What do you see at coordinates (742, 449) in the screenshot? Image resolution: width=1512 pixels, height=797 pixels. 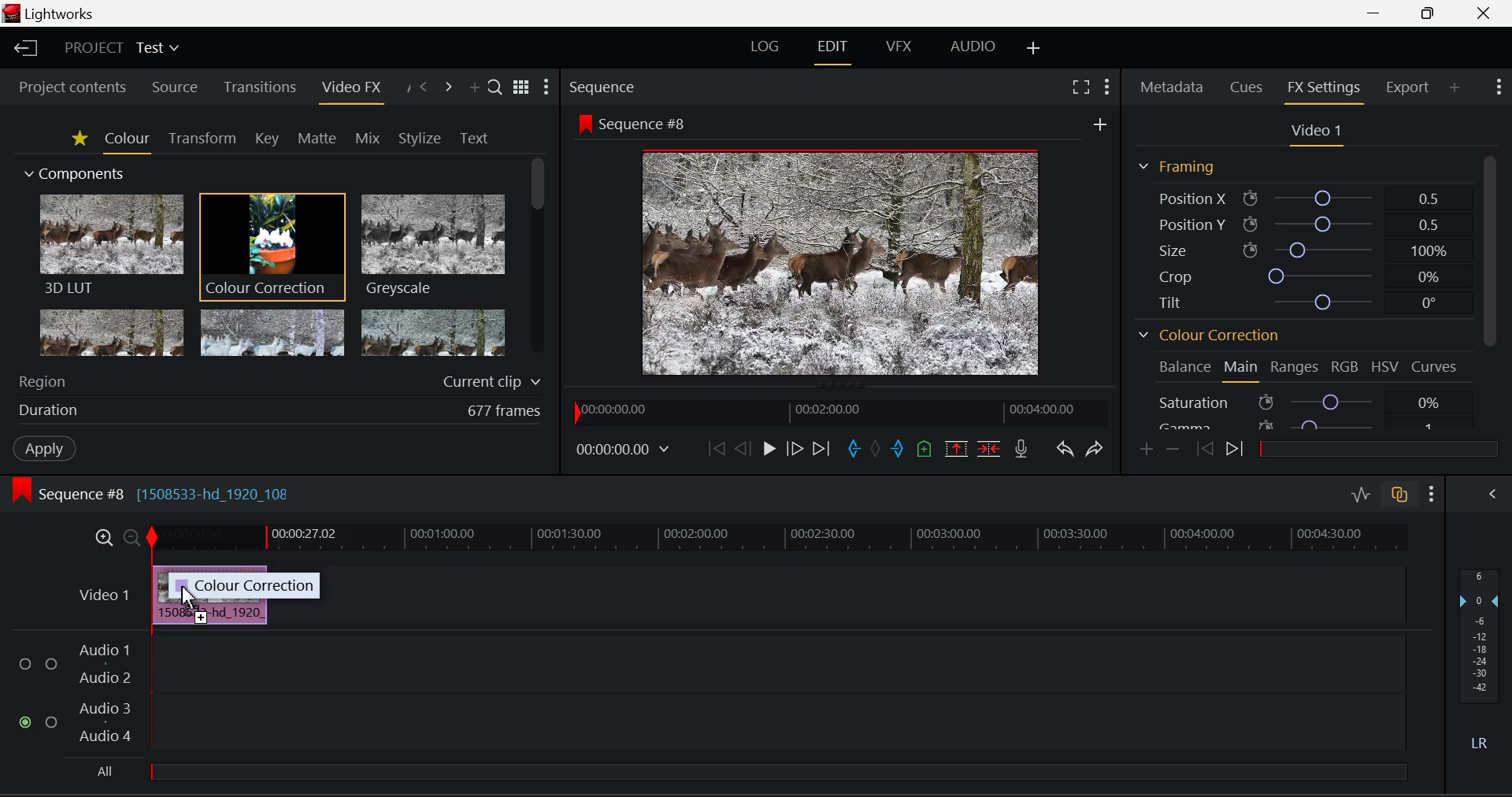 I see `Go Back` at bounding box center [742, 449].